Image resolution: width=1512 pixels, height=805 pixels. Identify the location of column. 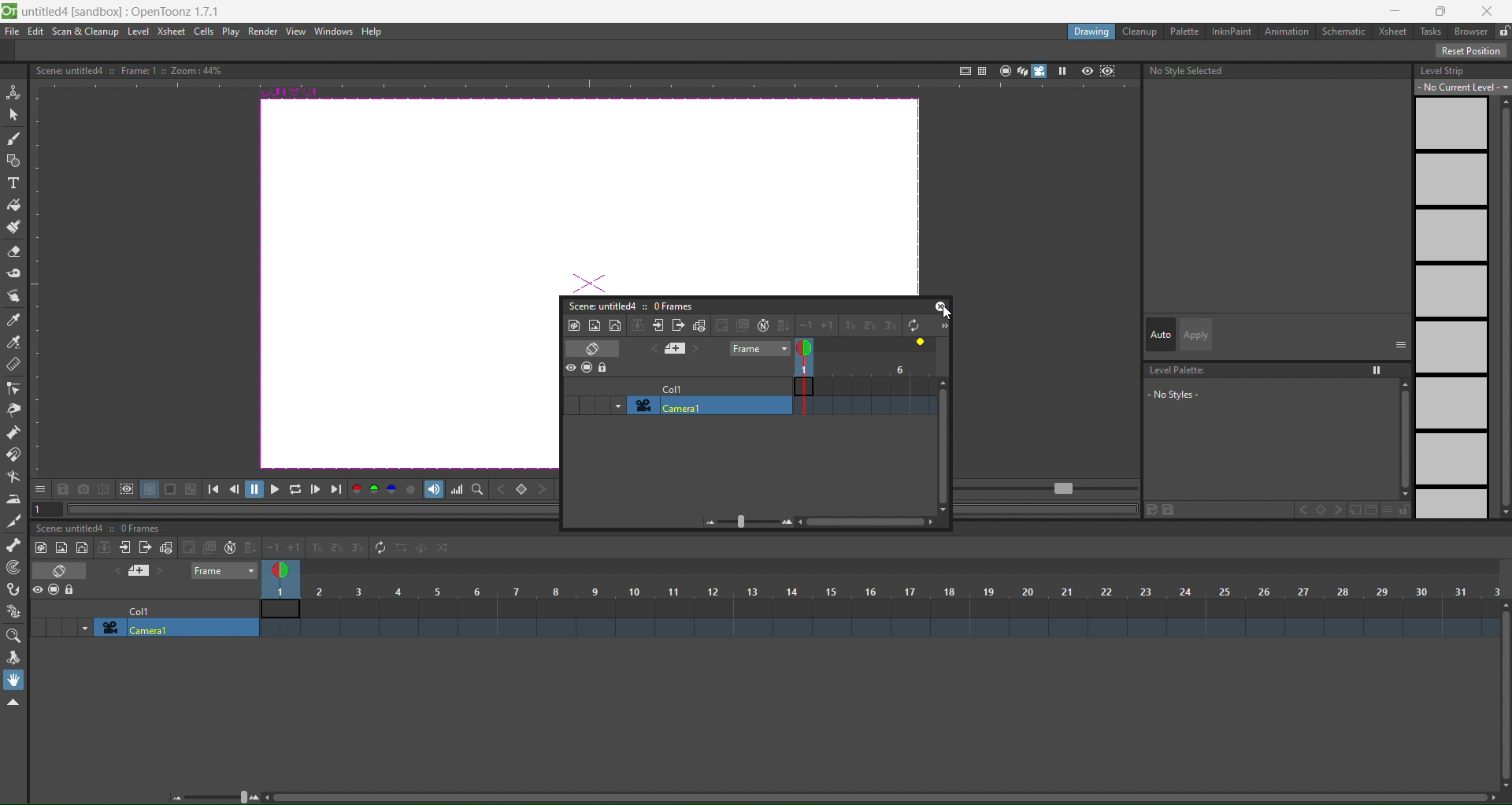
(882, 591).